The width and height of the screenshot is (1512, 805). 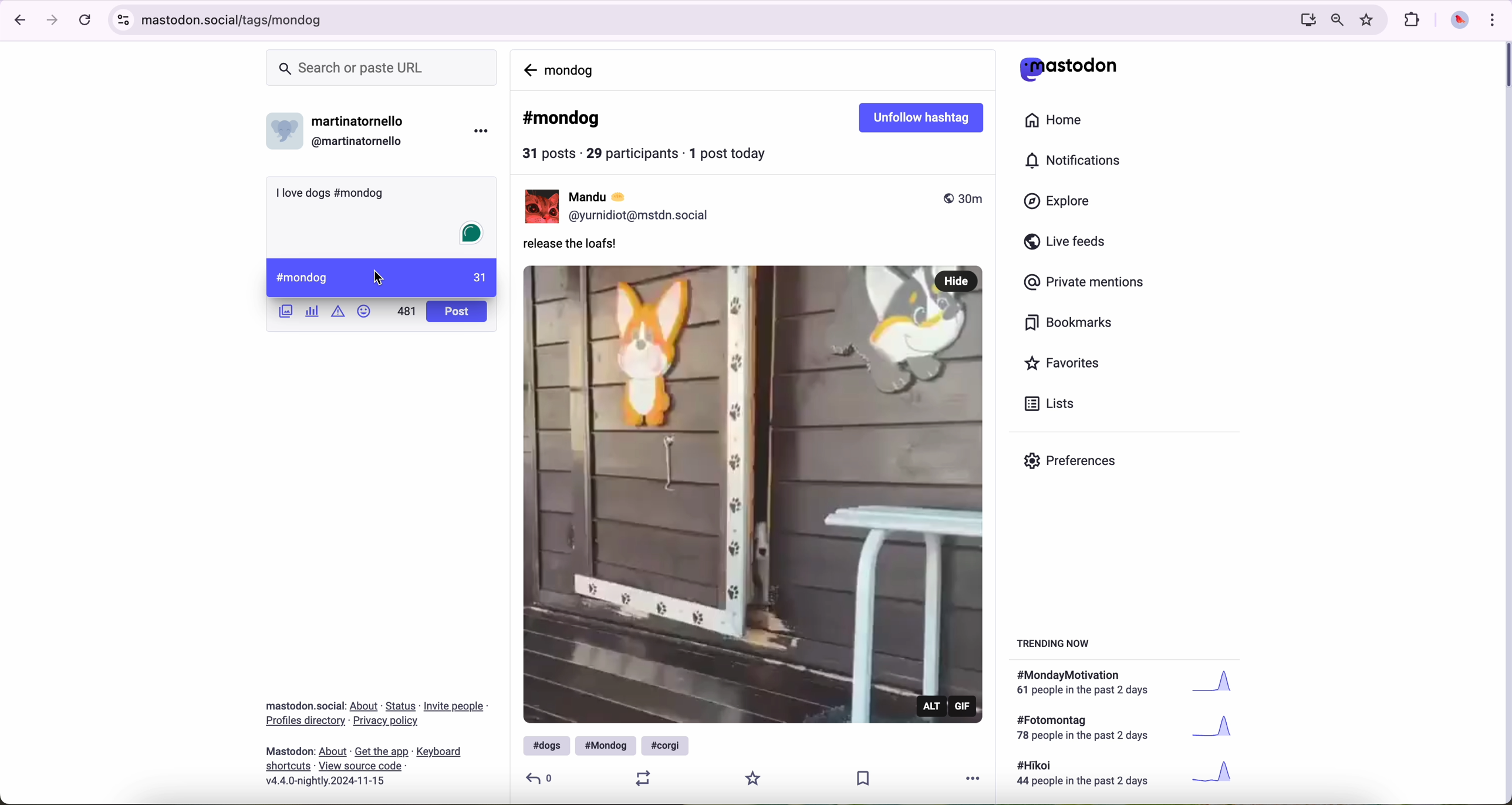 I want to click on link, so click(x=365, y=706).